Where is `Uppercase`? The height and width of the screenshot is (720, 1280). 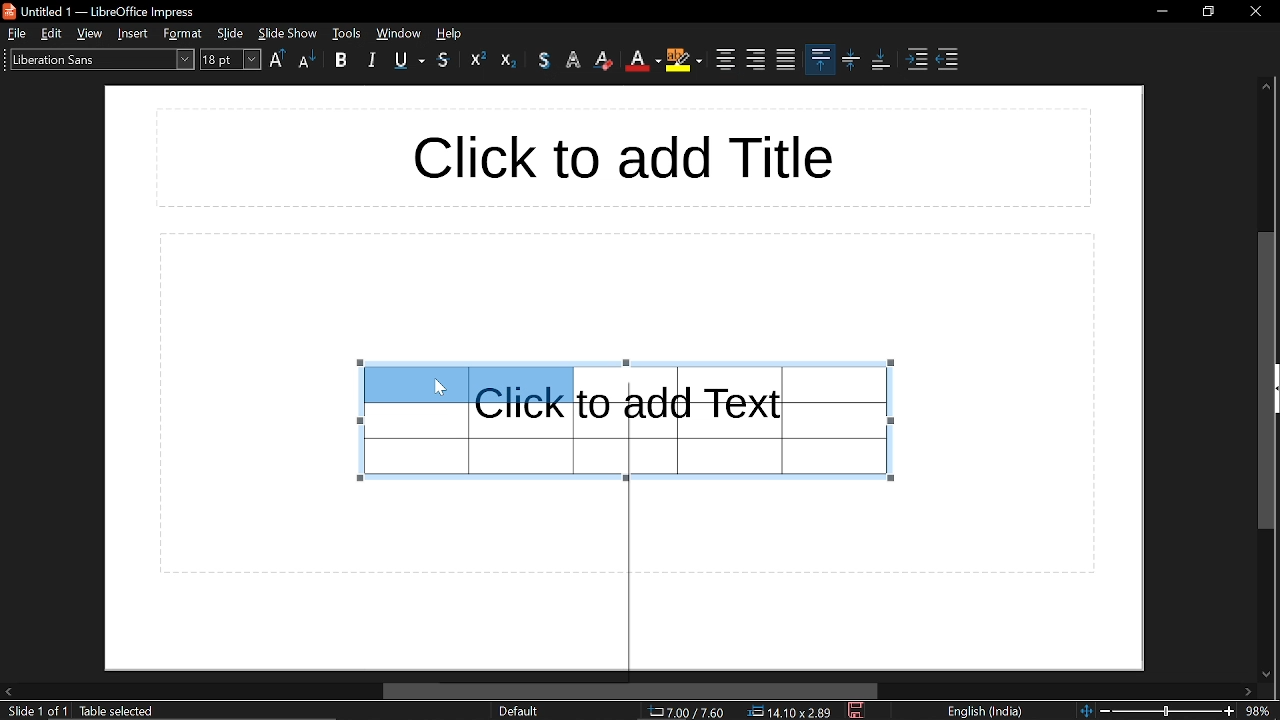 Uppercase is located at coordinates (278, 60).